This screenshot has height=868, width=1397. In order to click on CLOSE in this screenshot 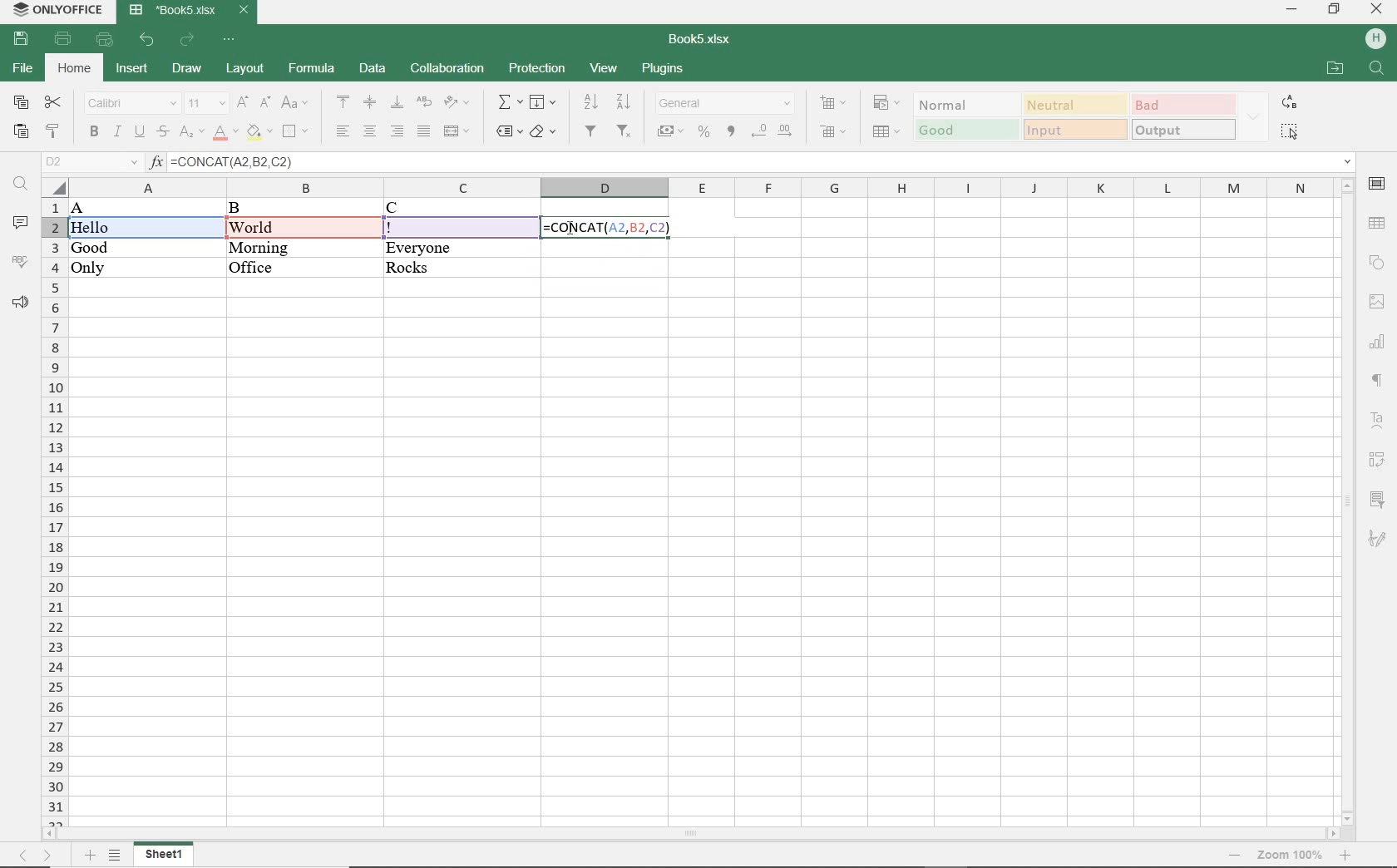, I will do `click(1377, 9)`.